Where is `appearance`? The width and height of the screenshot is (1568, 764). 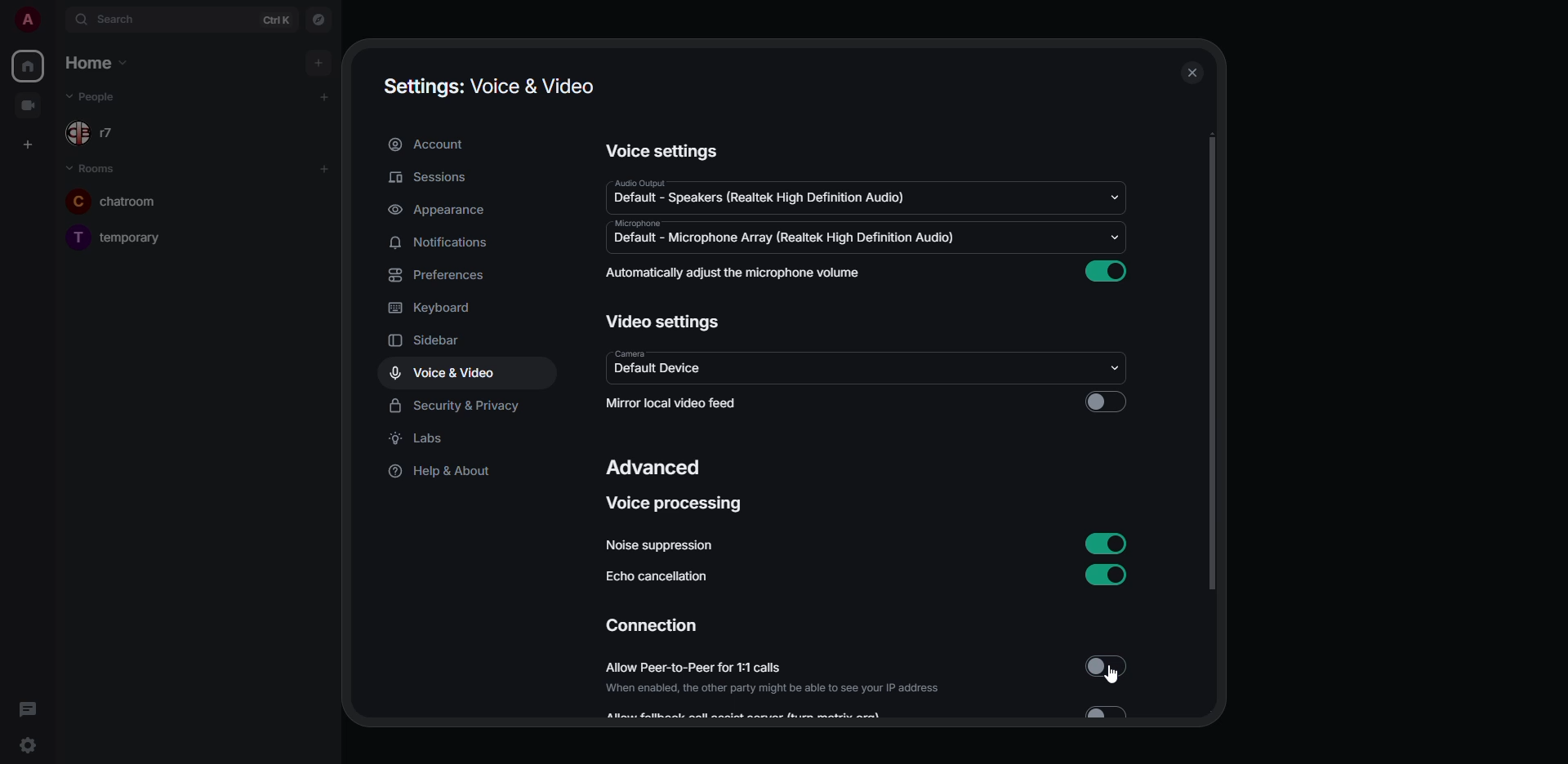
appearance is located at coordinates (439, 212).